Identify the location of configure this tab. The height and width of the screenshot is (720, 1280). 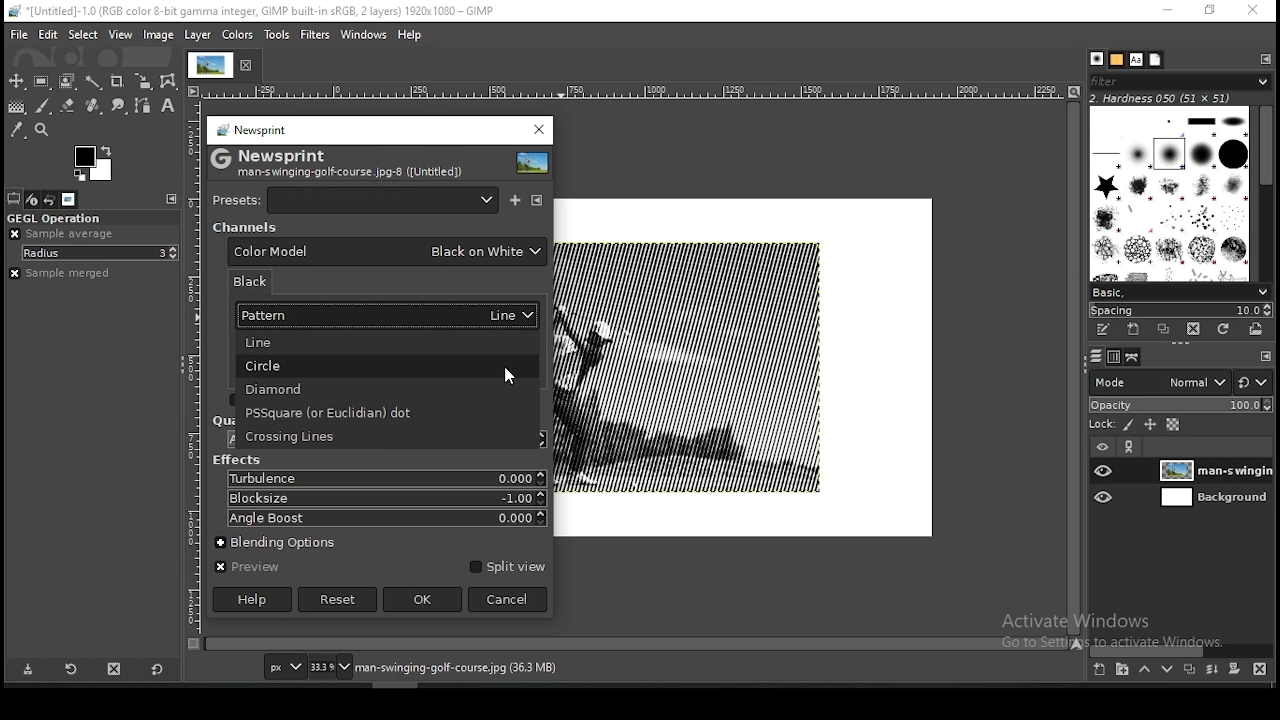
(168, 199).